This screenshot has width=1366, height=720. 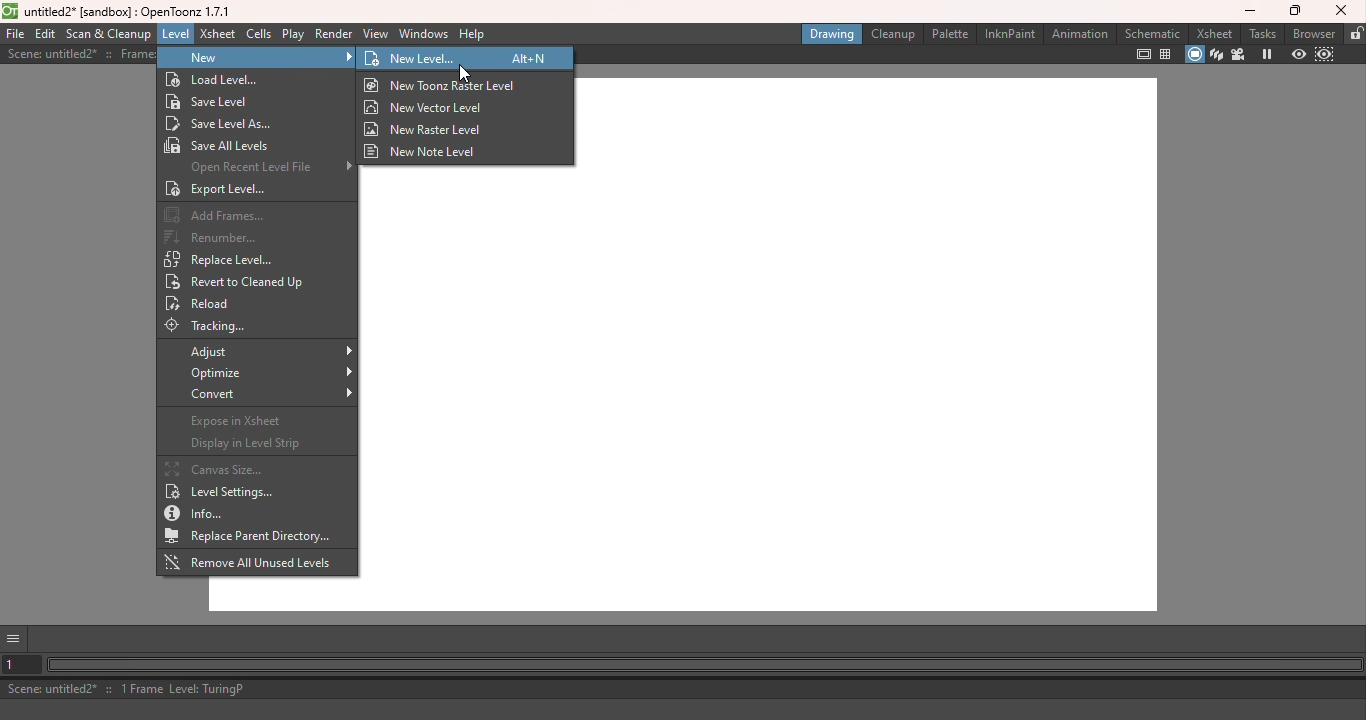 What do you see at coordinates (255, 537) in the screenshot?
I see `Replace parent dictionary` at bounding box center [255, 537].